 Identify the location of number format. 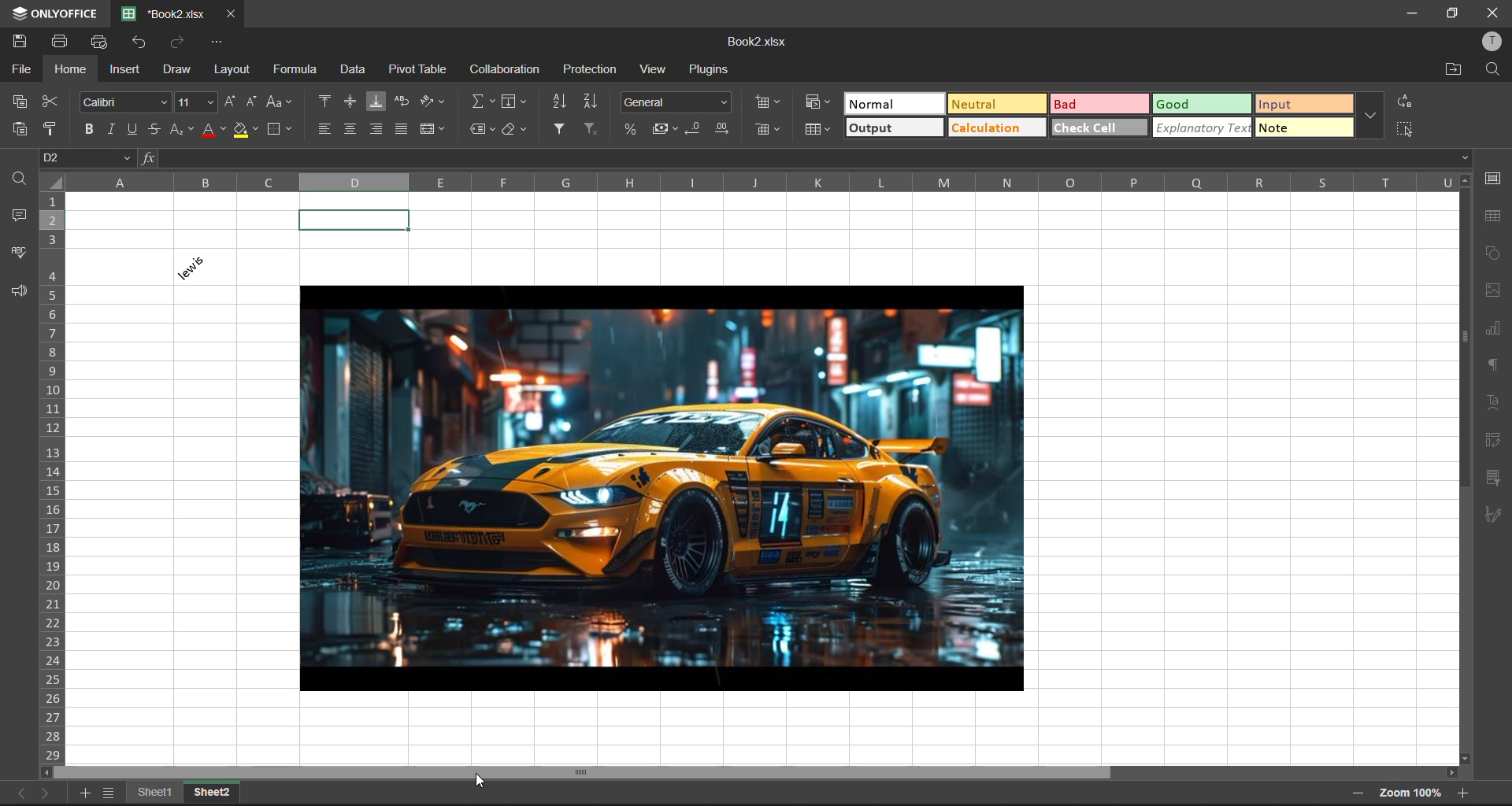
(676, 103).